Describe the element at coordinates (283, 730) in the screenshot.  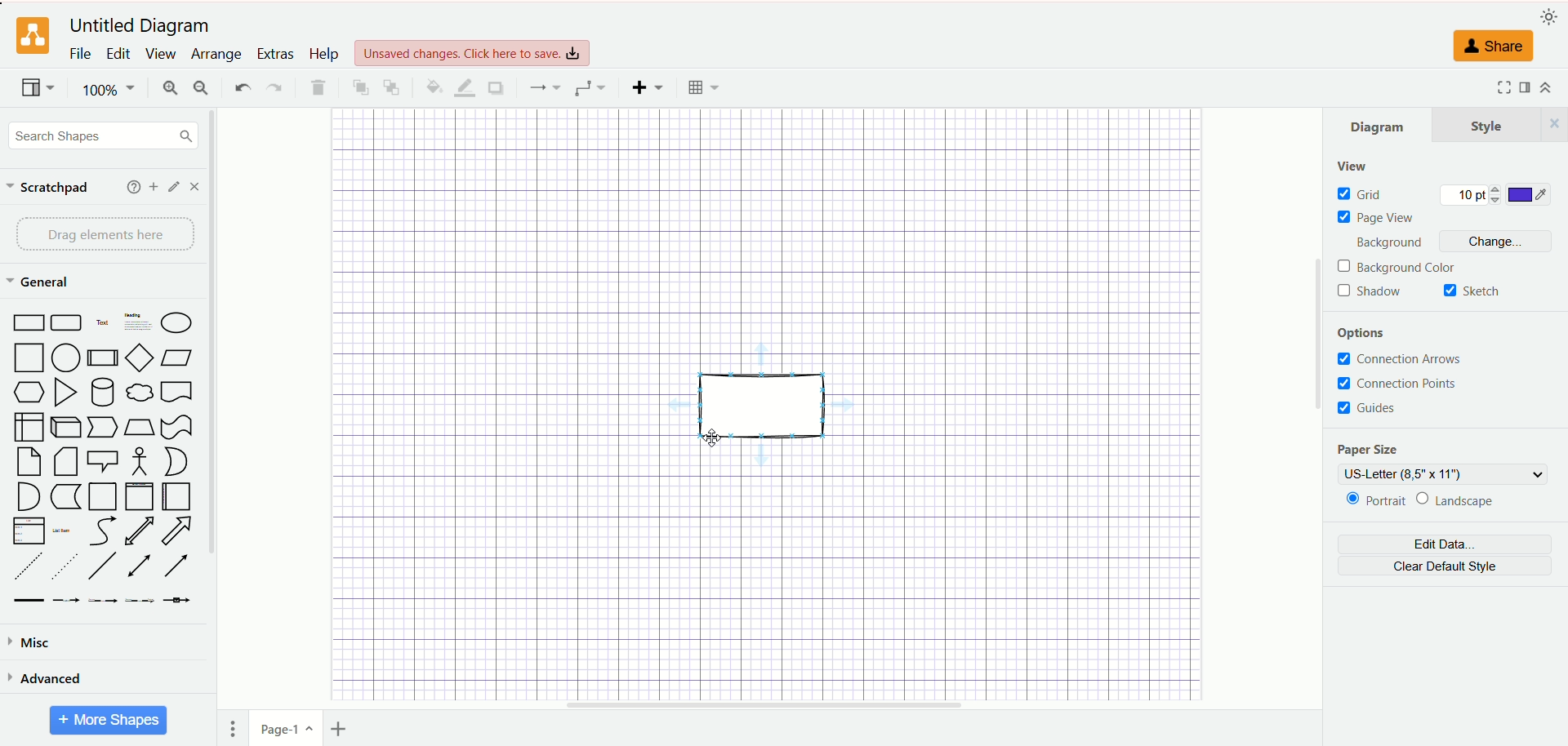
I see `page-1` at that location.